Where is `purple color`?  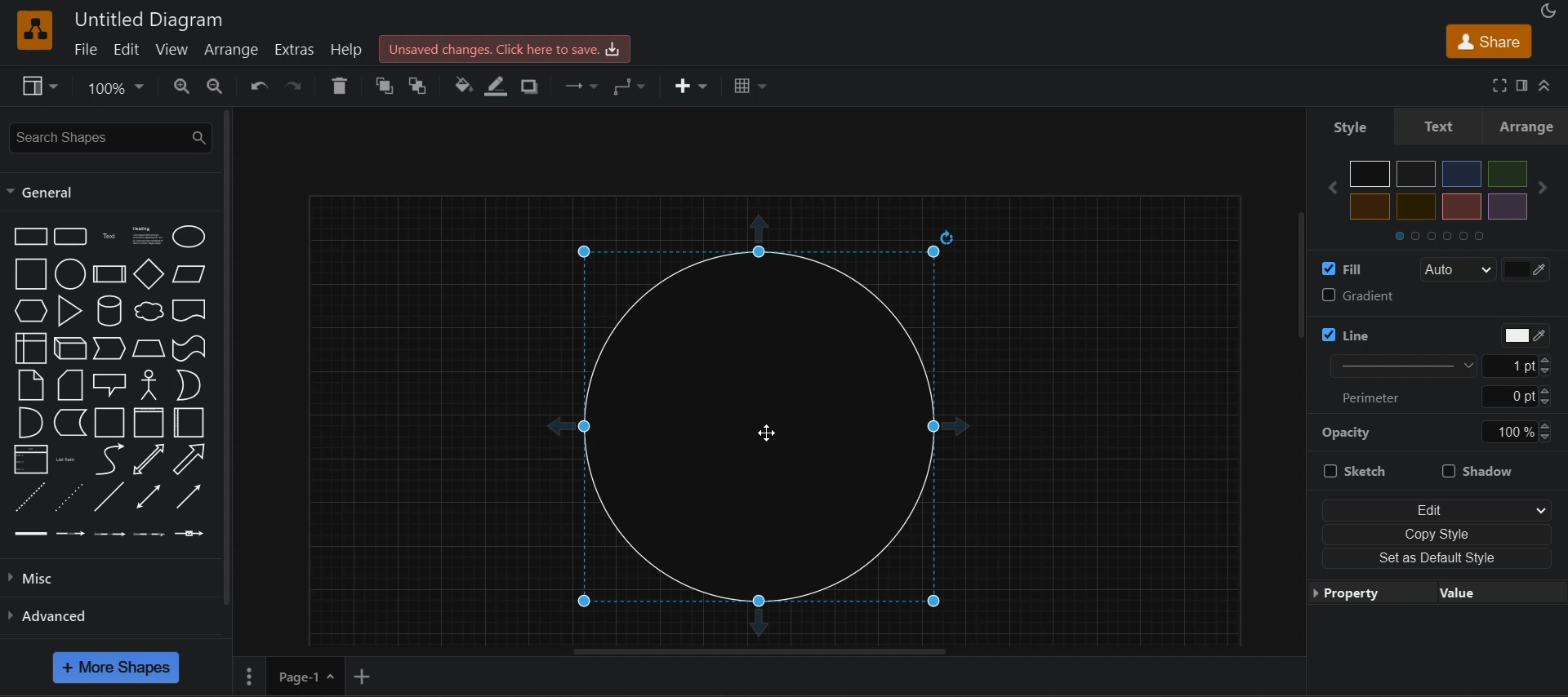
purple color is located at coordinates (1508, 206).